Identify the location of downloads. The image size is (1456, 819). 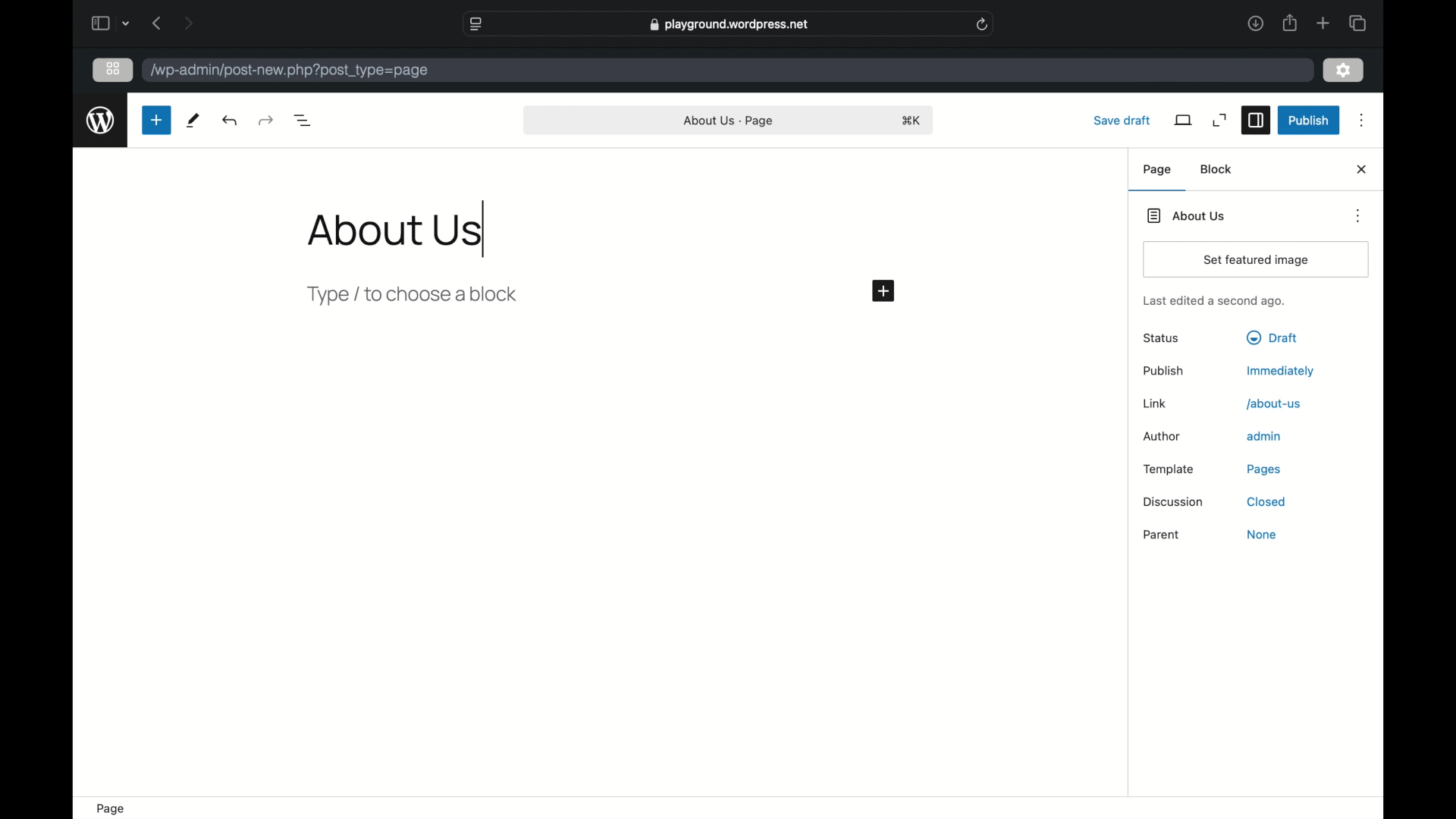
(1256, 24).